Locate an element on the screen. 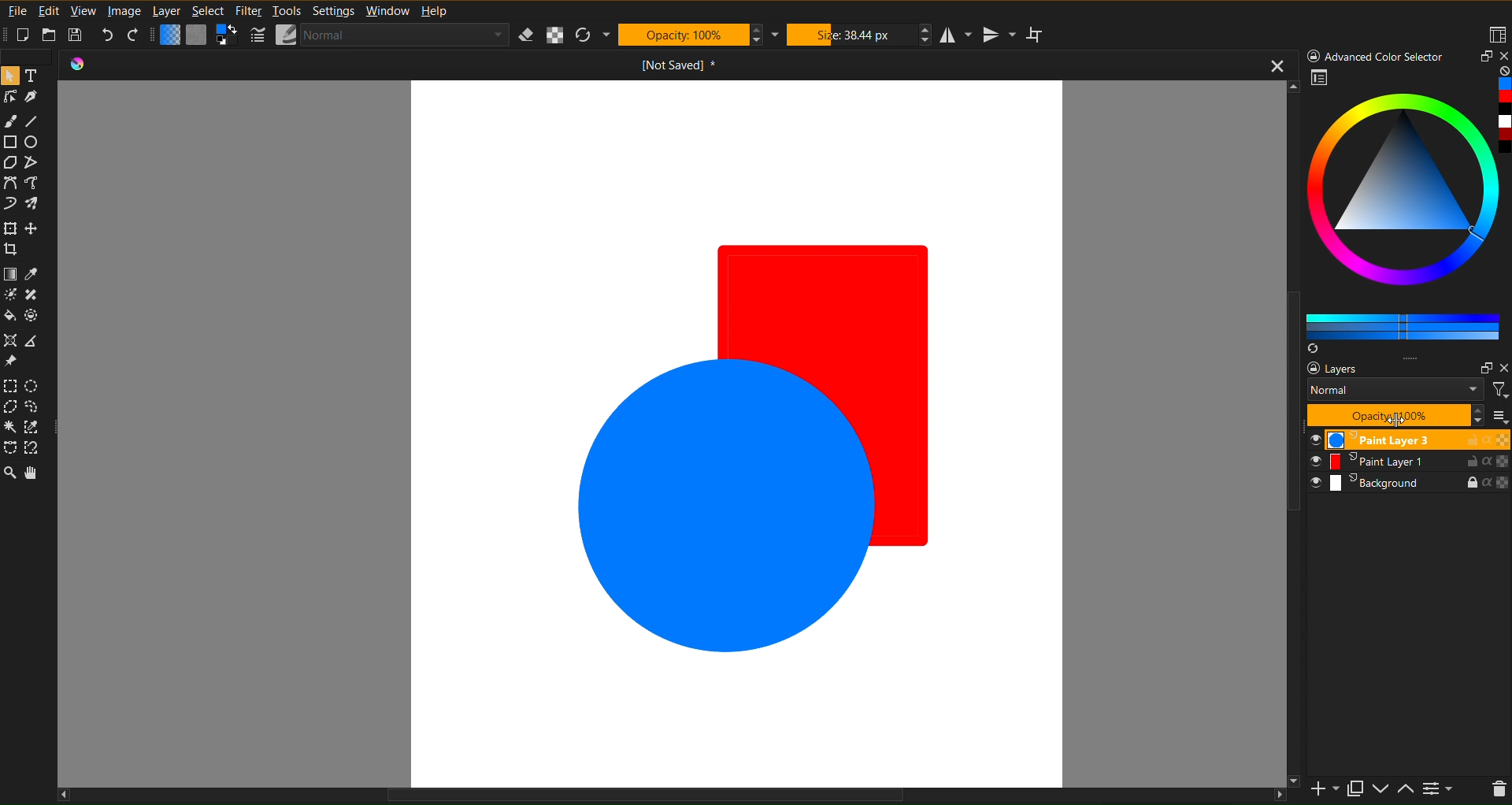 The width and height of the screenshot is (1512, 805). Redo is located at coordinates (133, 35).